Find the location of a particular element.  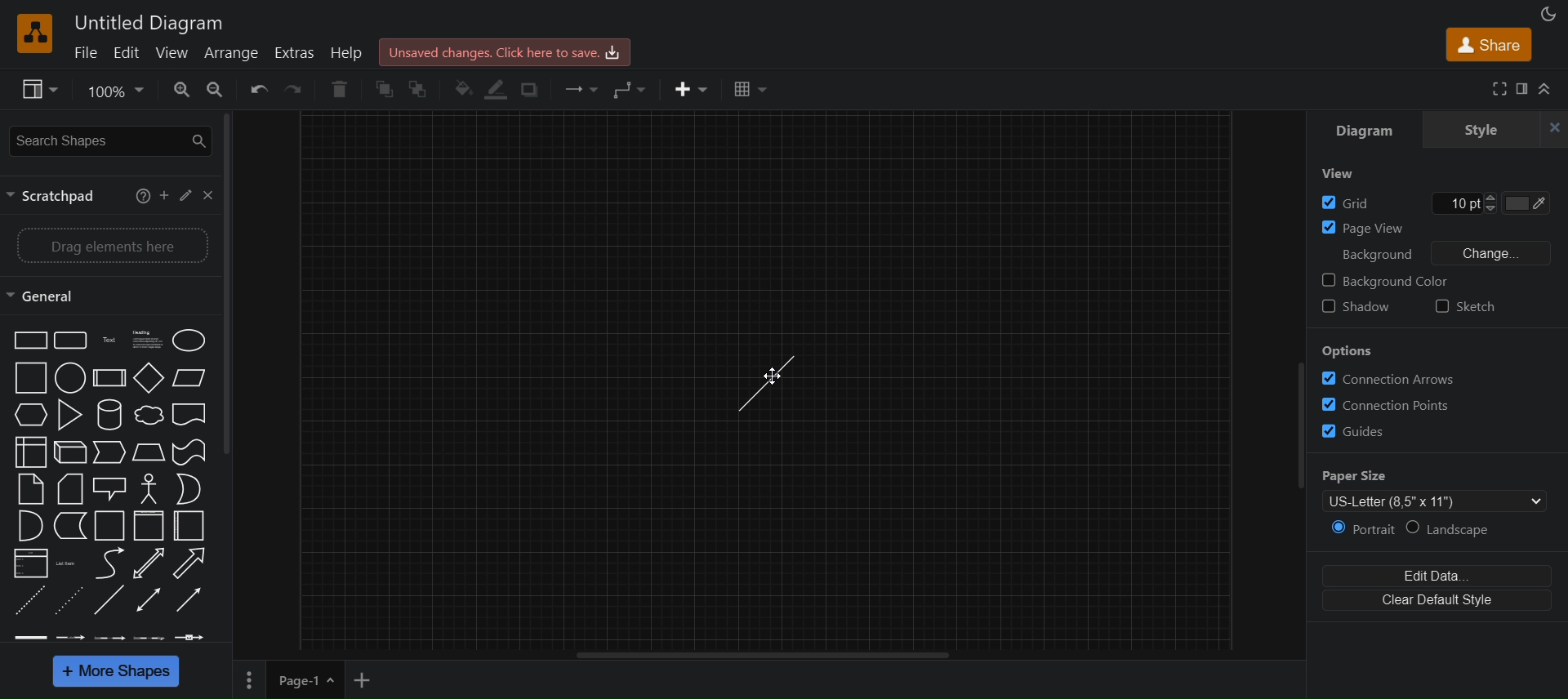

Unsaved changes. Click here to save is located at coordinates (506, 51).